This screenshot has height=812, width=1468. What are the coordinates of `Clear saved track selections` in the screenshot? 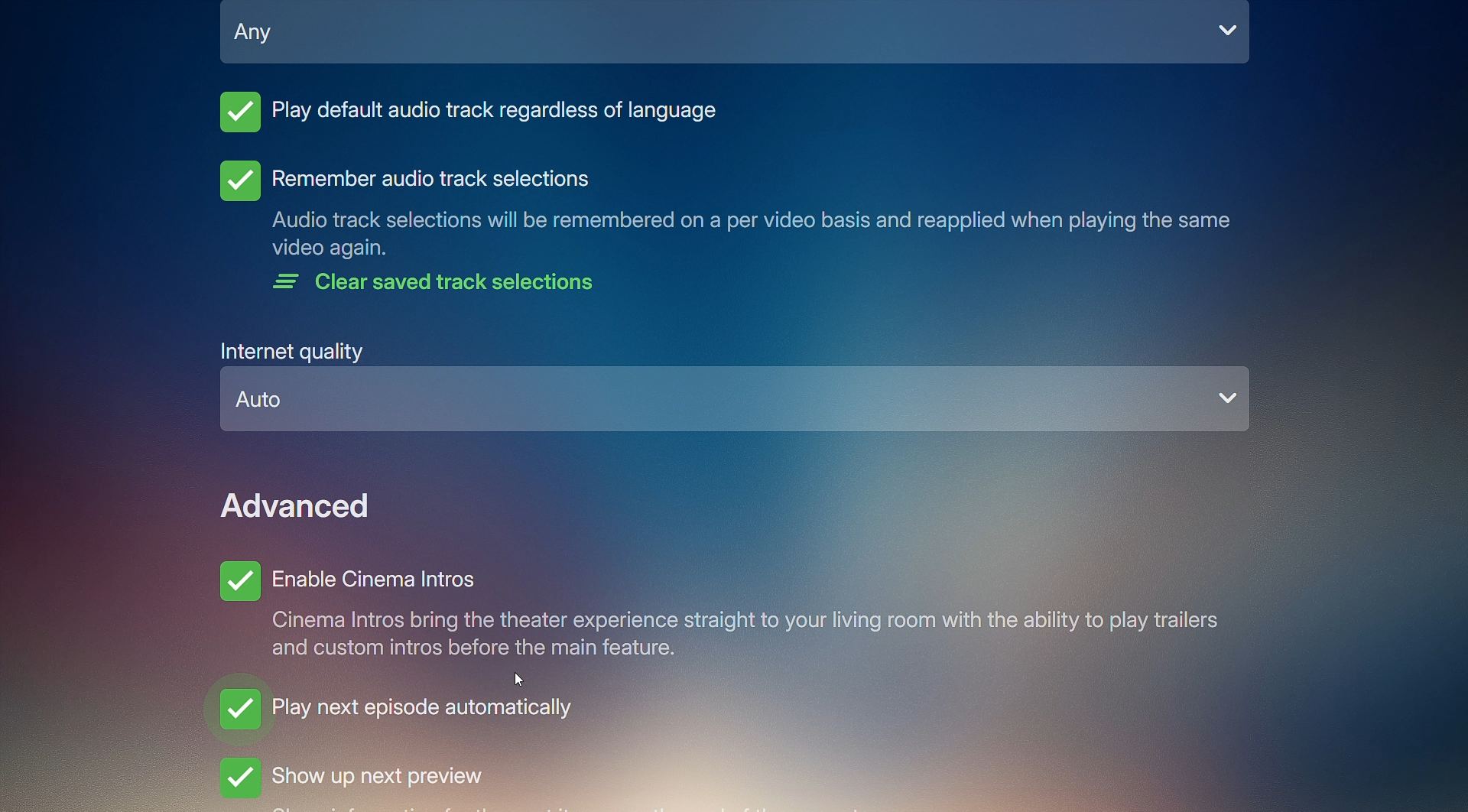 It's located at (440, 286).